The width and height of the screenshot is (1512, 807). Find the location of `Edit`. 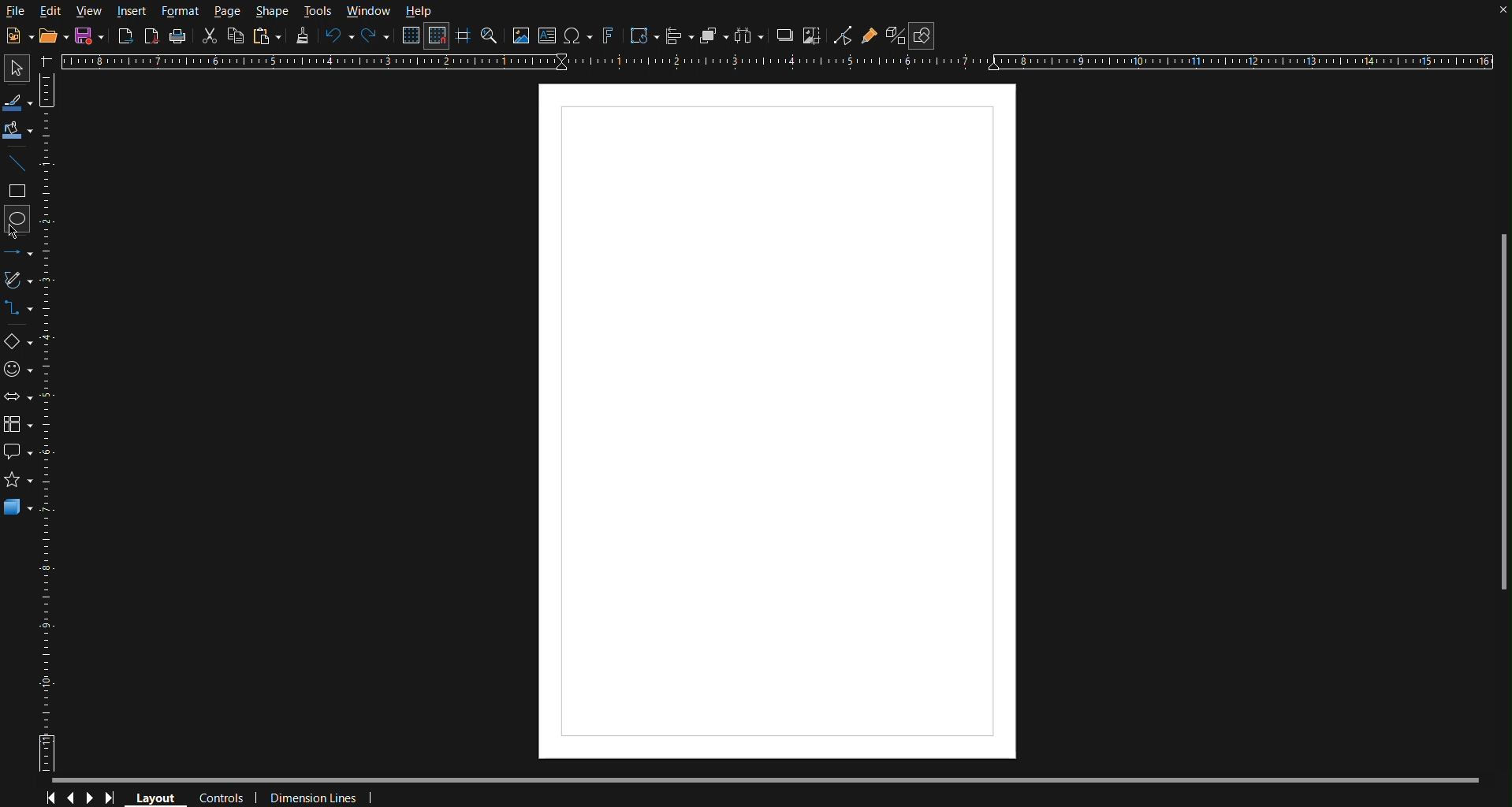

Edit is located at coordinates (51, 10).